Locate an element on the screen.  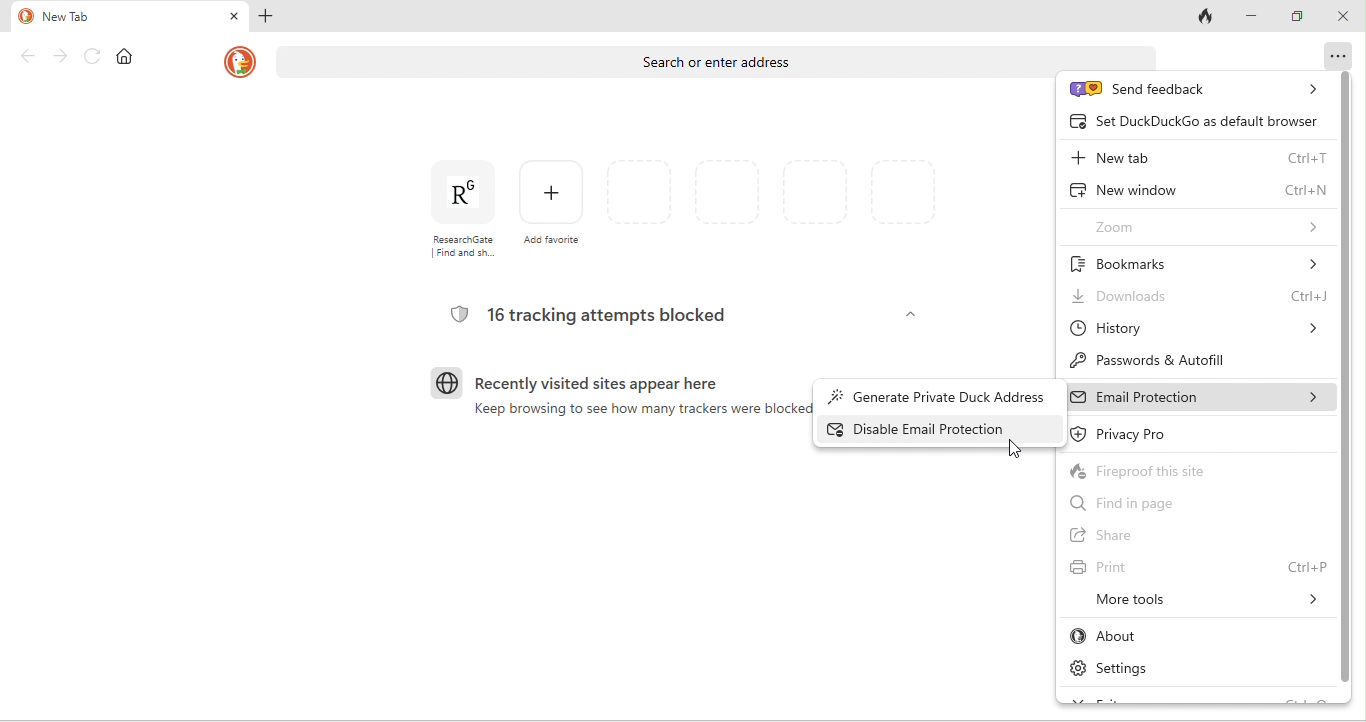
search bar is located at coordinates (659, 64).